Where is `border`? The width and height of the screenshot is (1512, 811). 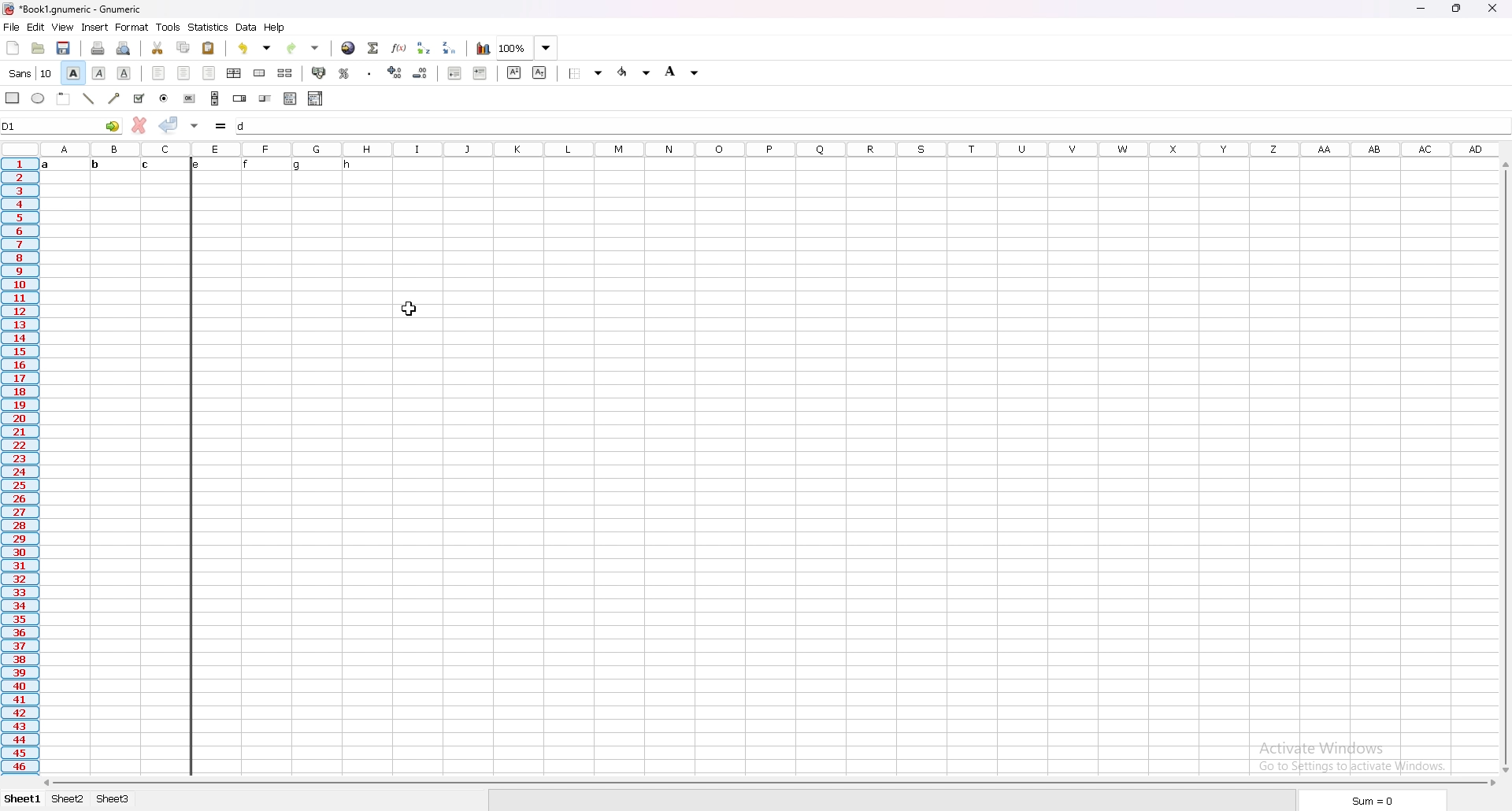
border is located at coordinates (589, 72).